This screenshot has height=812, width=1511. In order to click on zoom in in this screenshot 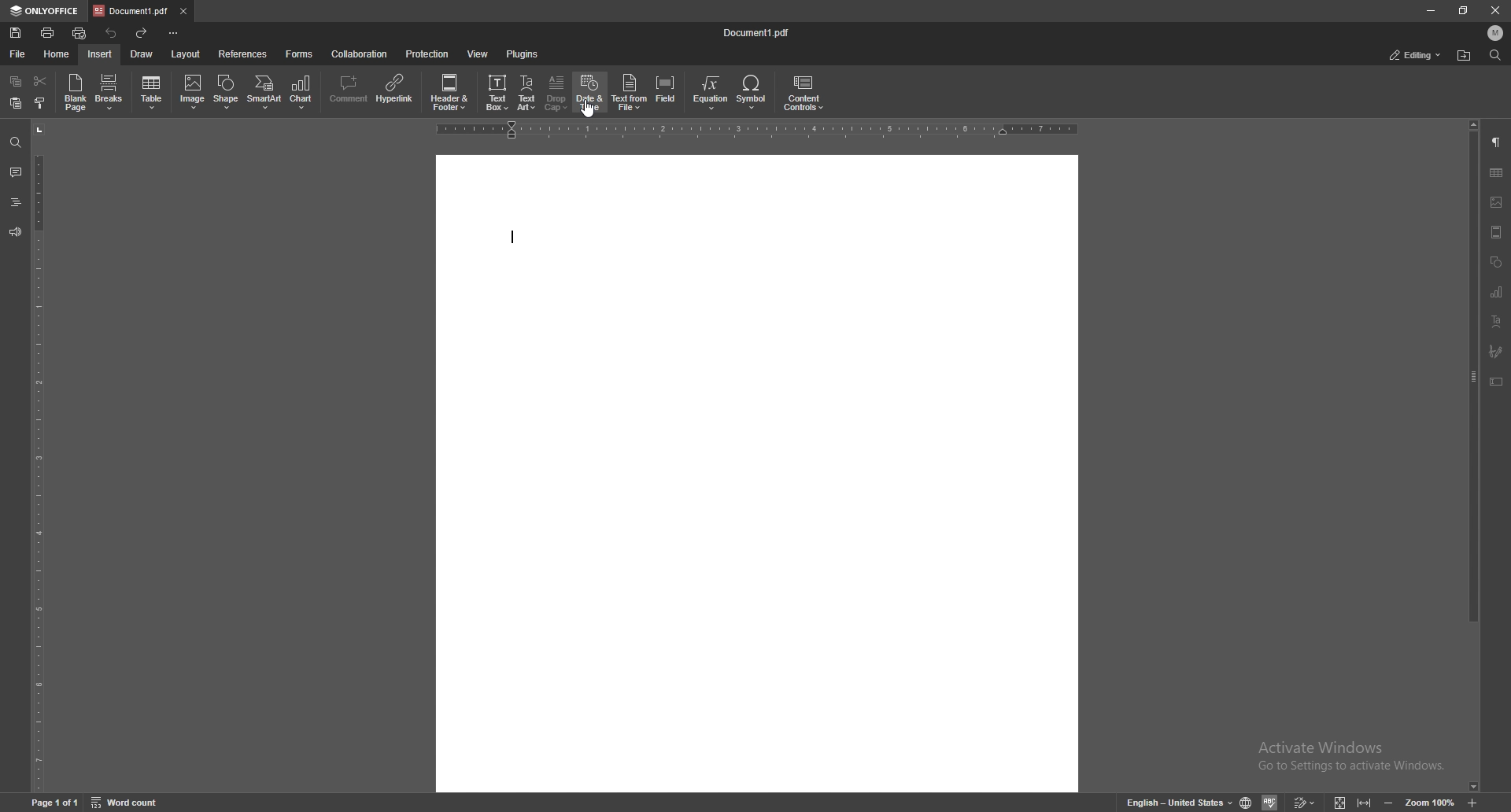, I will do `click(1474, 802)`.